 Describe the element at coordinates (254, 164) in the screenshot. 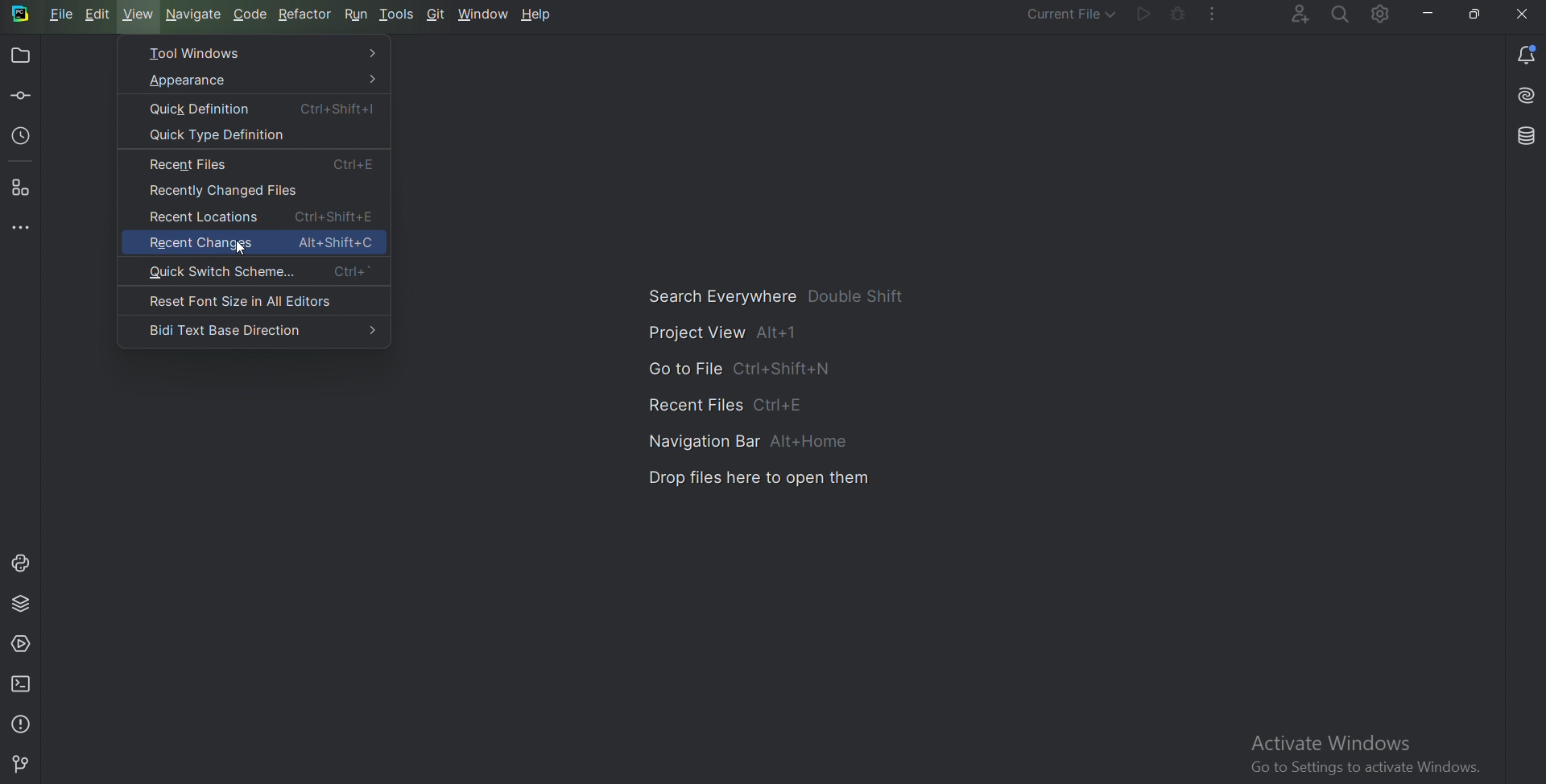

I see `Recent files` at that location.